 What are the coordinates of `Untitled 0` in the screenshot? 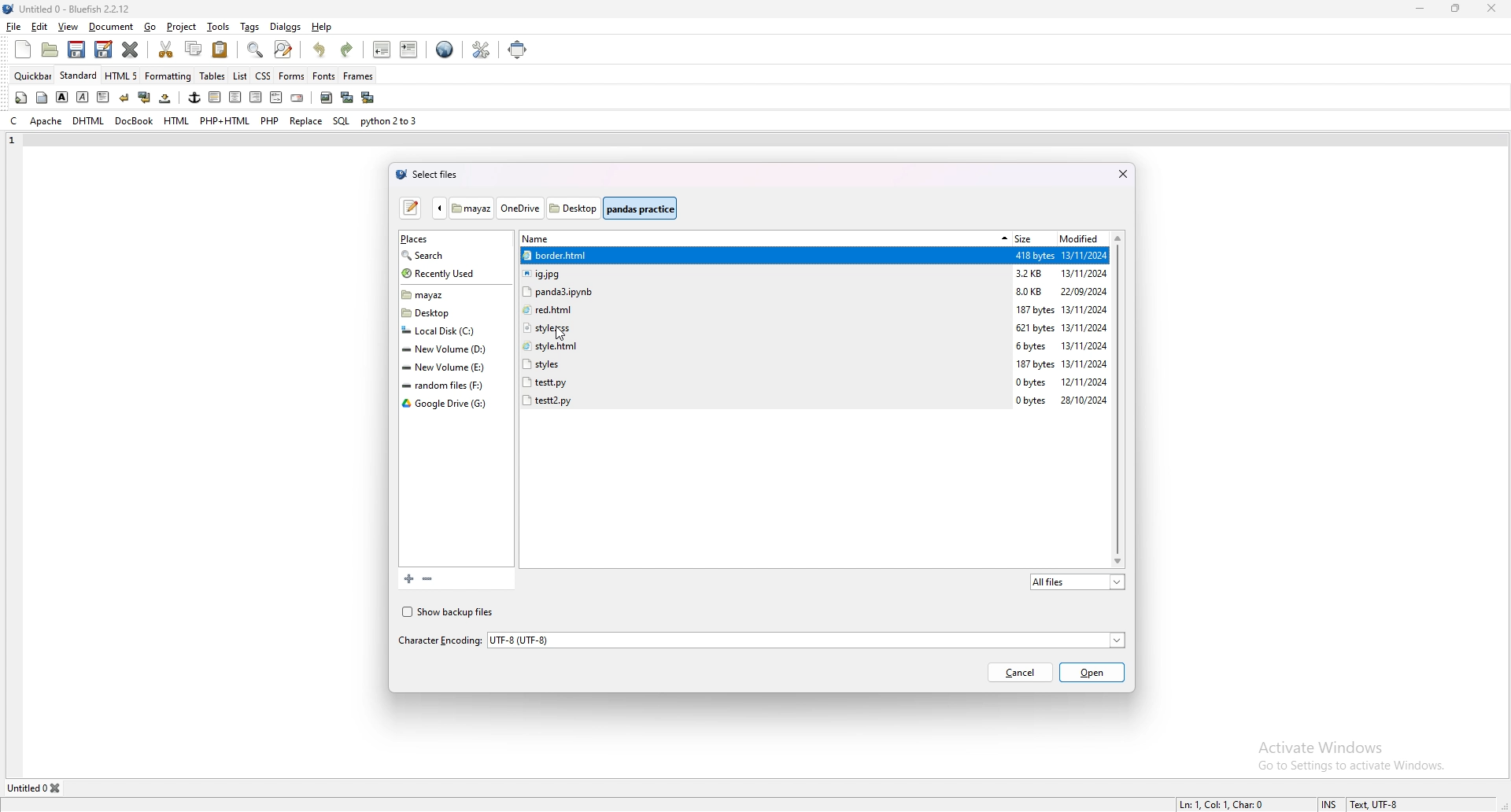 It's located at (26, 788).